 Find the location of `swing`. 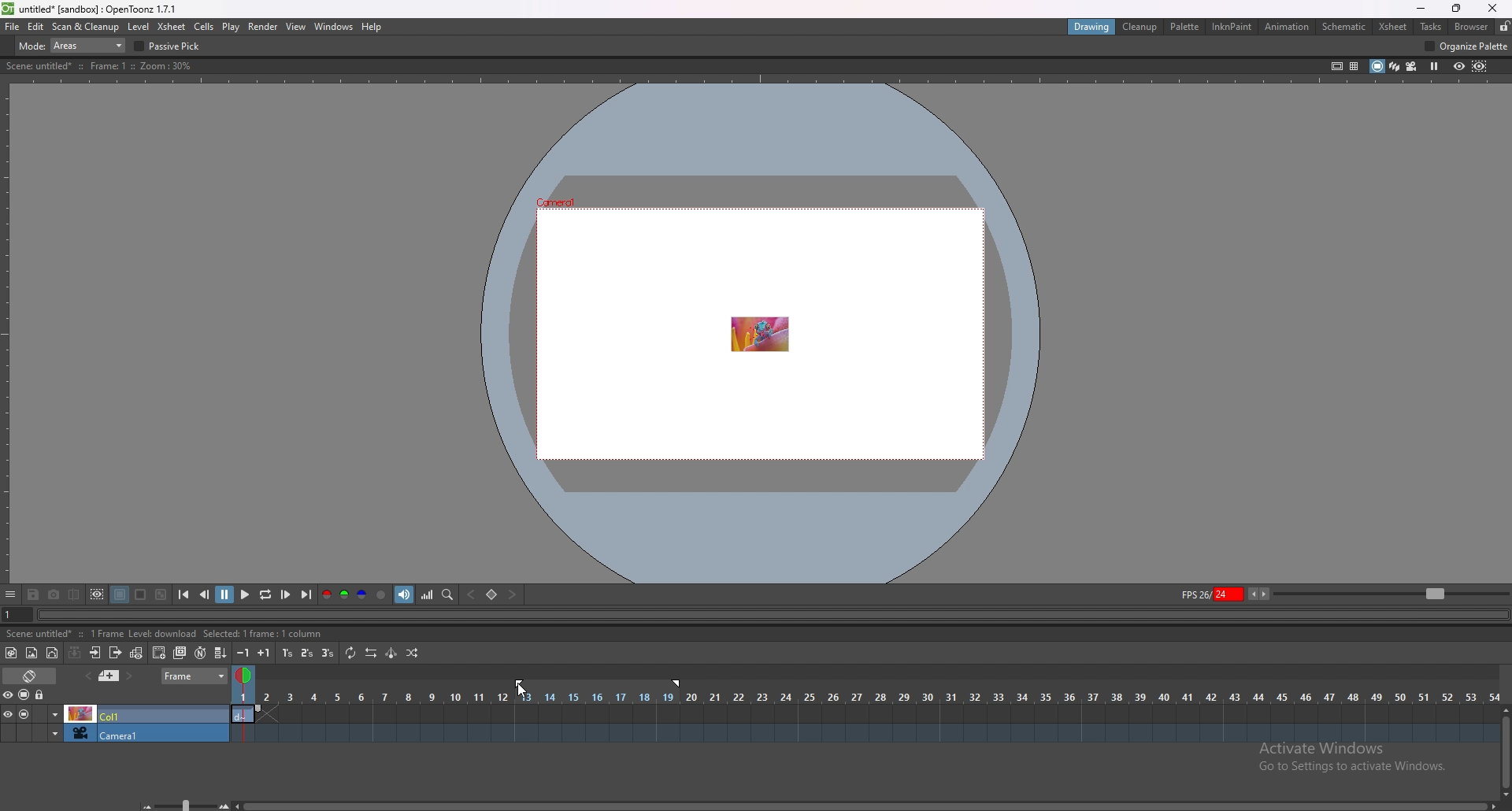

swing is located at coordinates (392, 652).